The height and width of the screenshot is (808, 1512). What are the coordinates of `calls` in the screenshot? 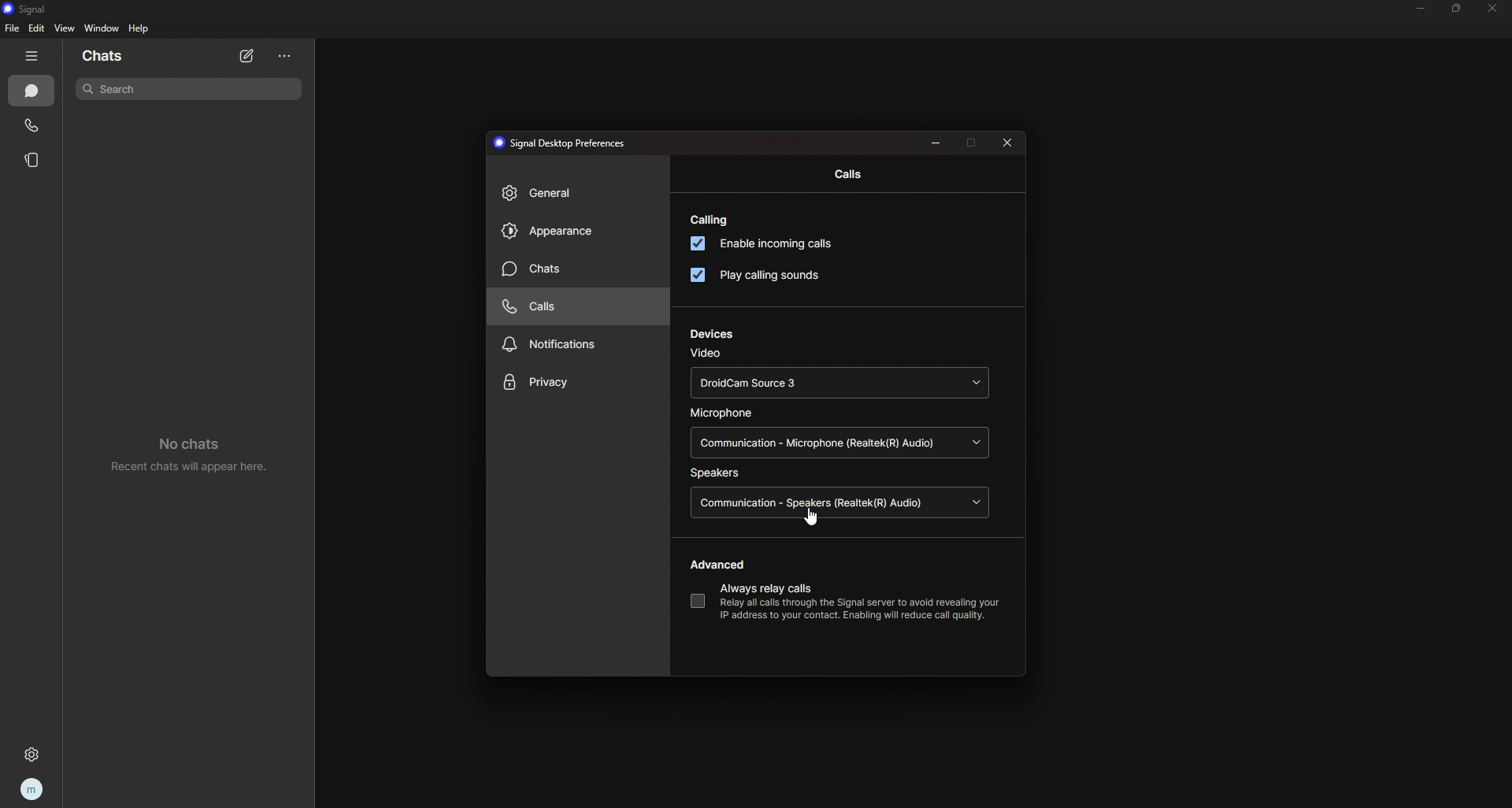 It's located at (33, 126).